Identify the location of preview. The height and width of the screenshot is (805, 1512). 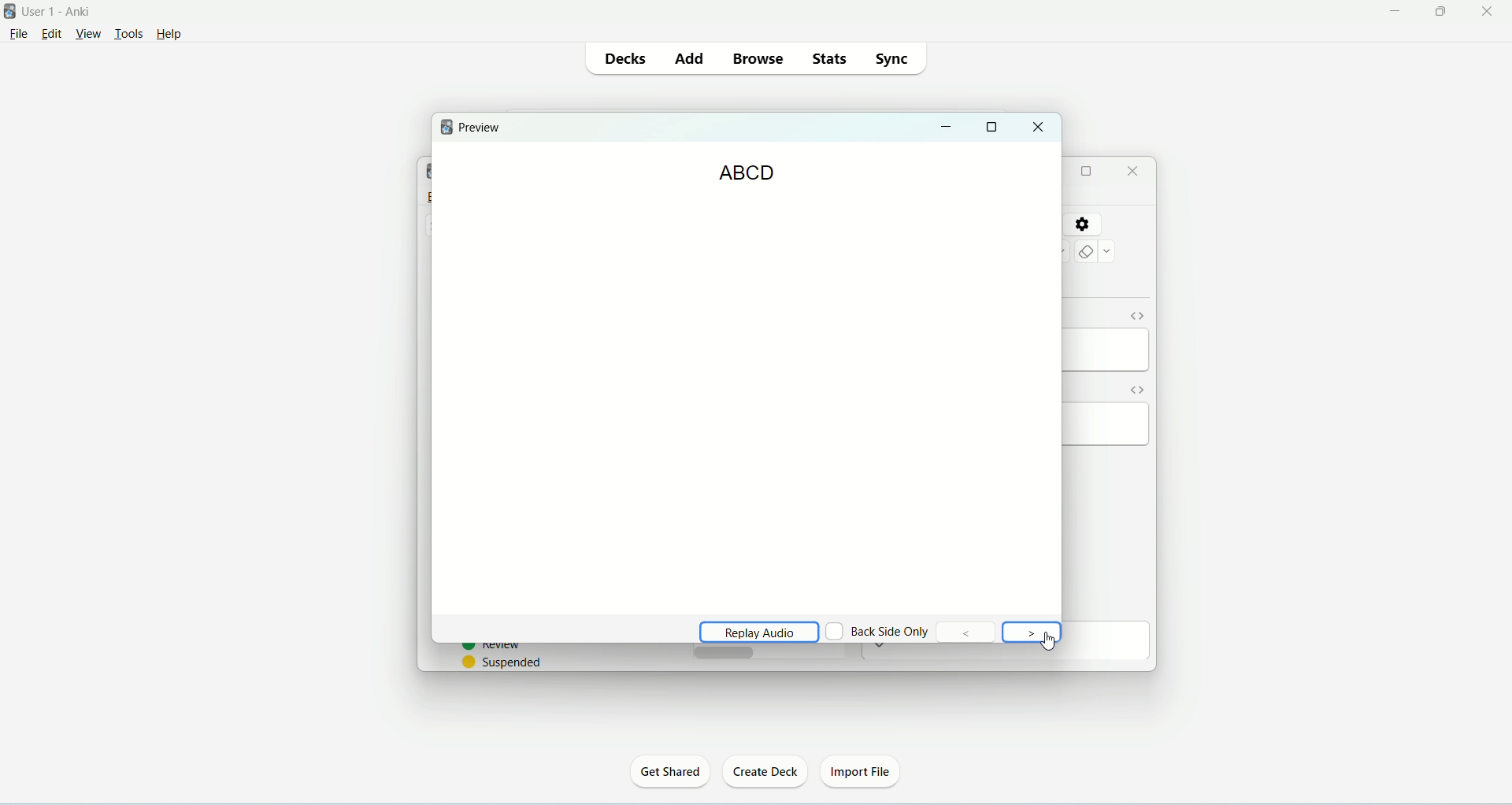
(481, 128).